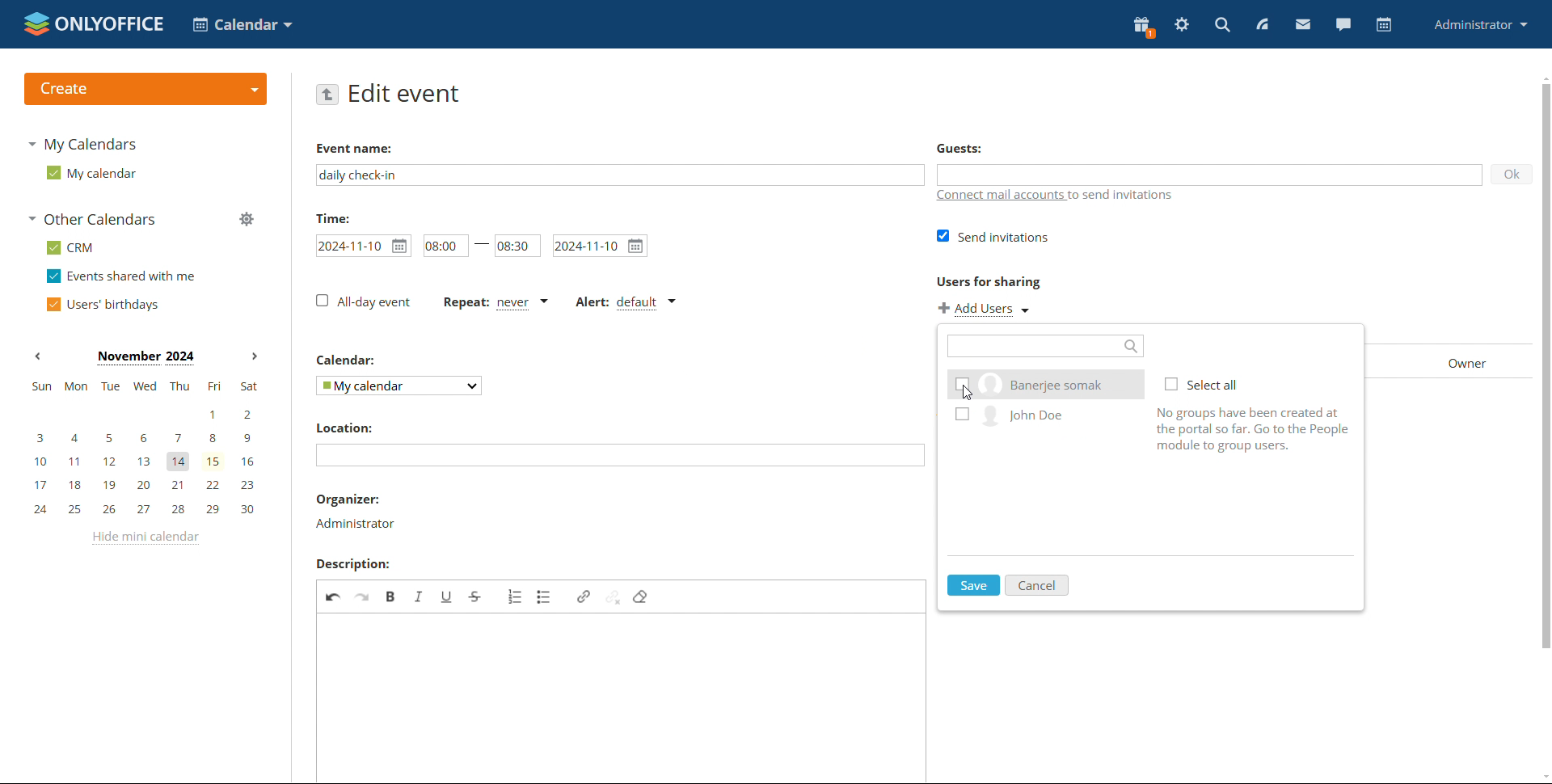  What do you see at coordinates (392, 596) in the screenshot?
I see `bold` at bounding box center [392, 596].